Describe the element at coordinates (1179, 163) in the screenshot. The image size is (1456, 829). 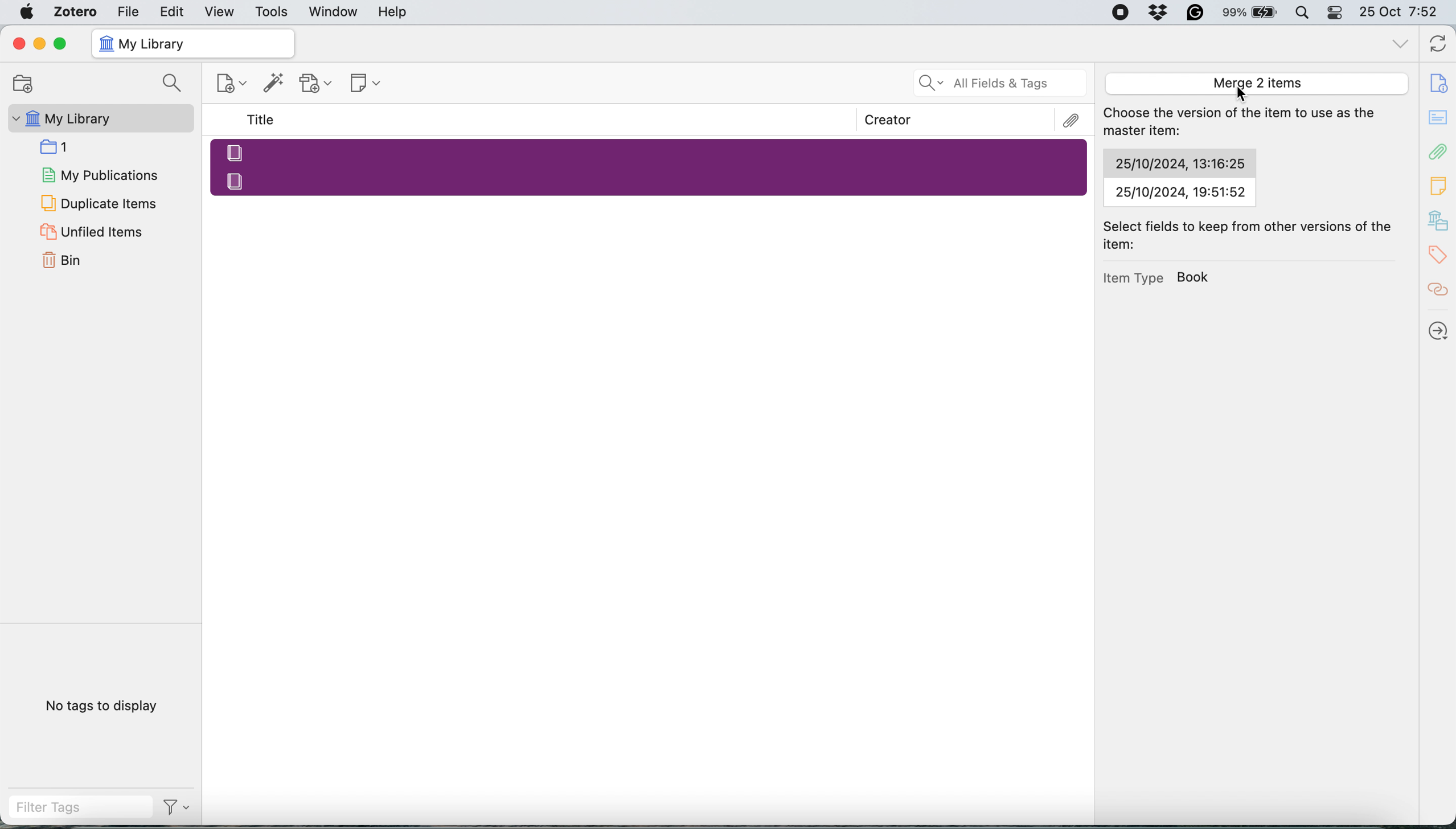
I see `25/10/2024, 13:16:25` at that location.